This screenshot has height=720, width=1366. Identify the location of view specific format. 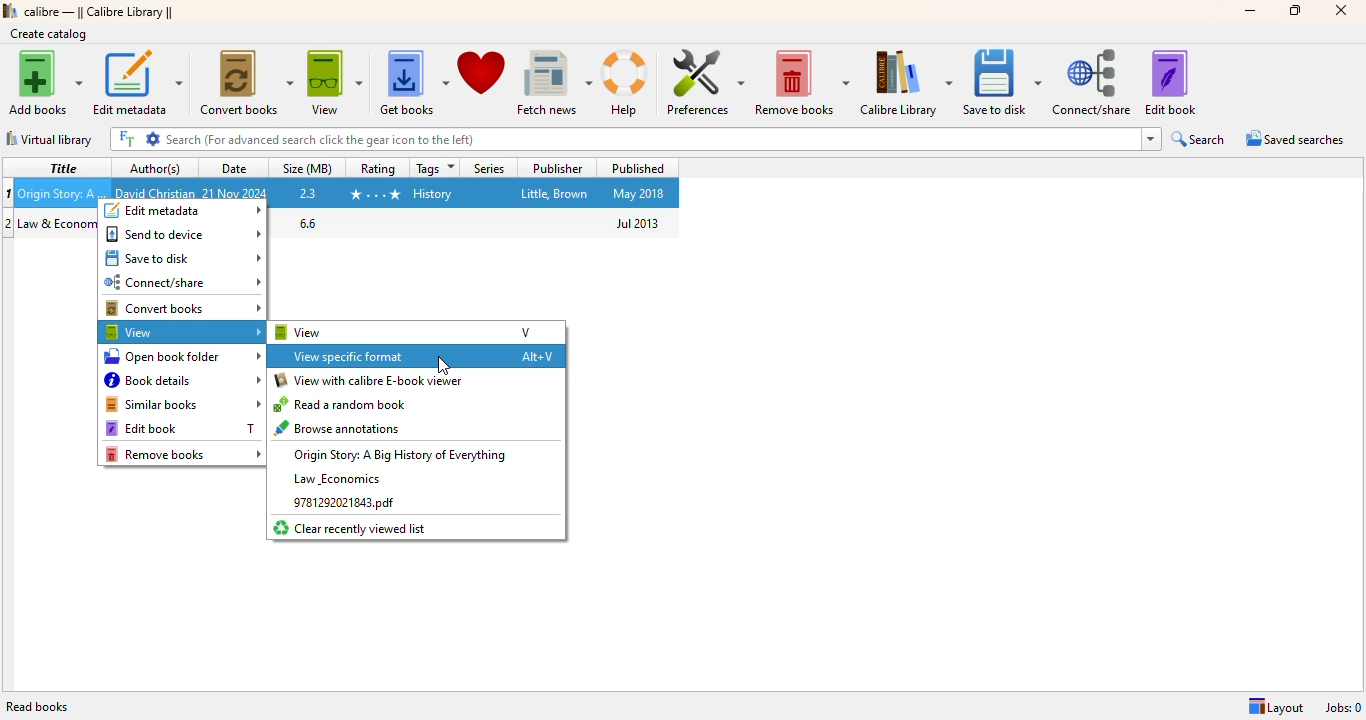
(352, 356).